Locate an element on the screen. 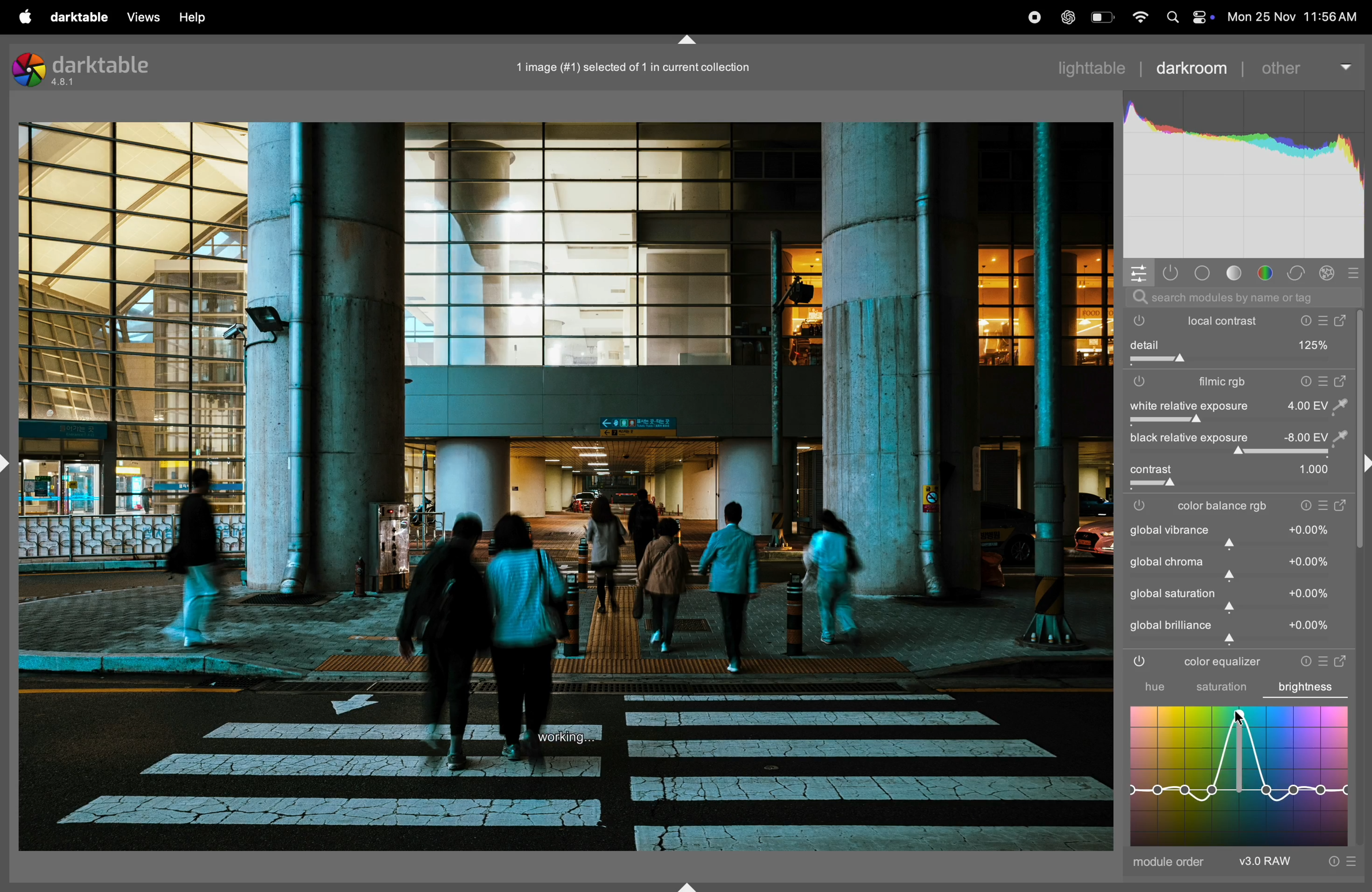  local contrast is located at coordinates (1269, 320).